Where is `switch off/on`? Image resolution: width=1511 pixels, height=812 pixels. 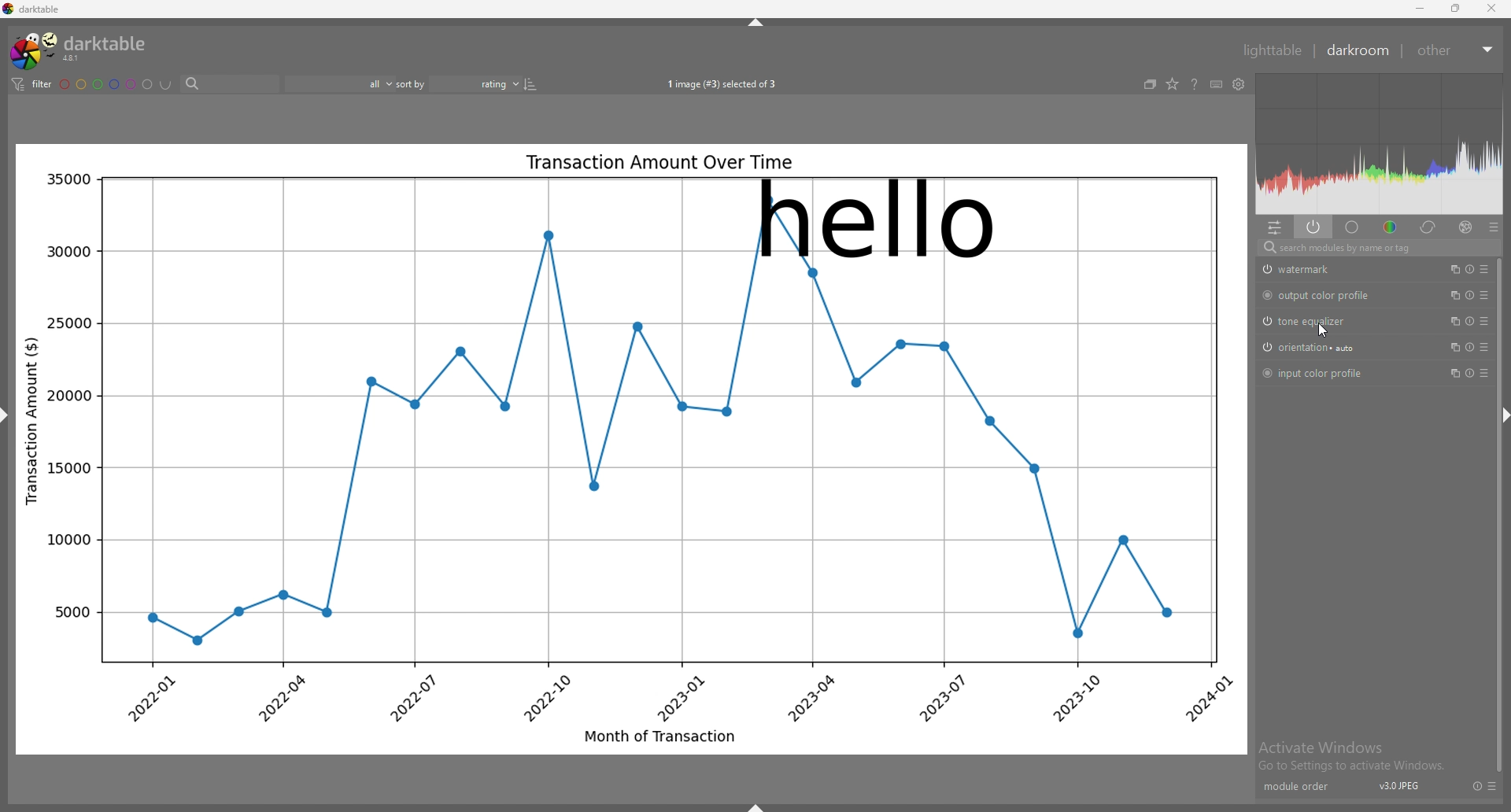
switch off/on is located at coordinates (1266, 374).